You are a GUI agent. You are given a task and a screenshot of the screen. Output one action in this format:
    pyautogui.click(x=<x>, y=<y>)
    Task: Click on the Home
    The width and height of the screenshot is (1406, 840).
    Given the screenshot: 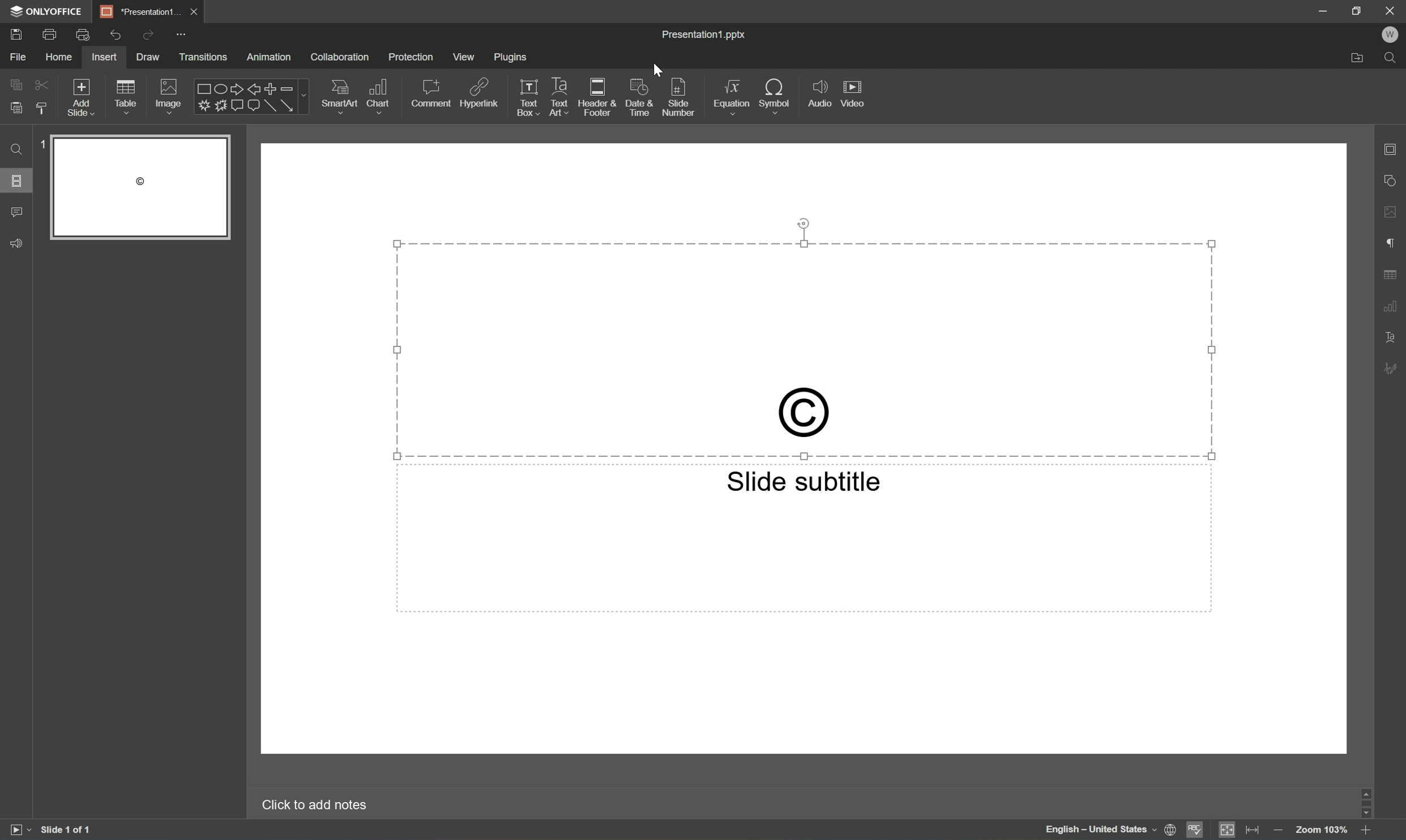 What is the action you would take?
    pyautogui.click(x=59, y=56)
    